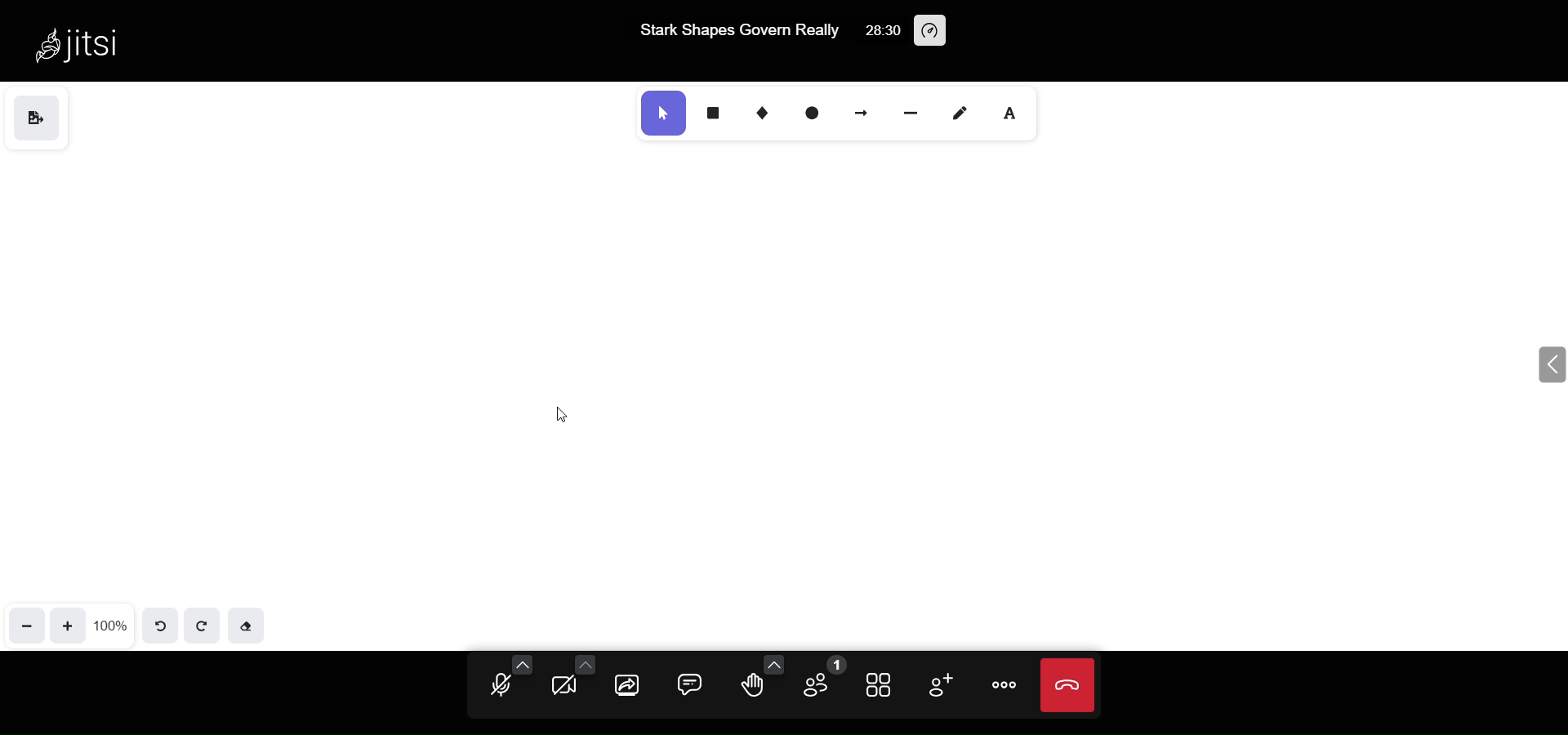 Image resolution: width=1568 pixels, height=735 pixels. Describe the element at coordinates (822, 679) in the screenshot. I see `participant` at that location.